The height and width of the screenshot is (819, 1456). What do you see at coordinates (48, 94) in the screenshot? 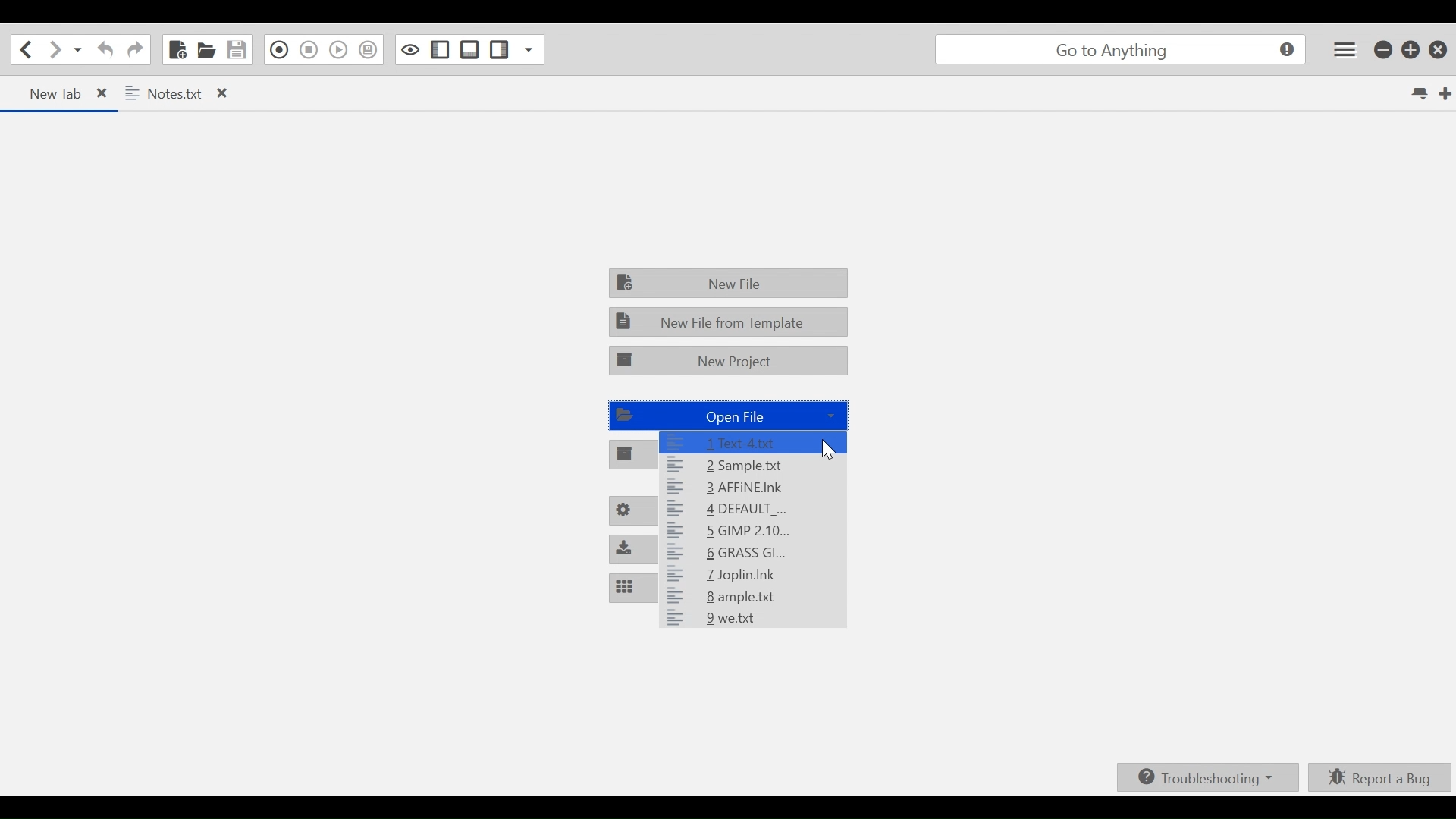
I see `new tab` at bounding box center [48, 94].